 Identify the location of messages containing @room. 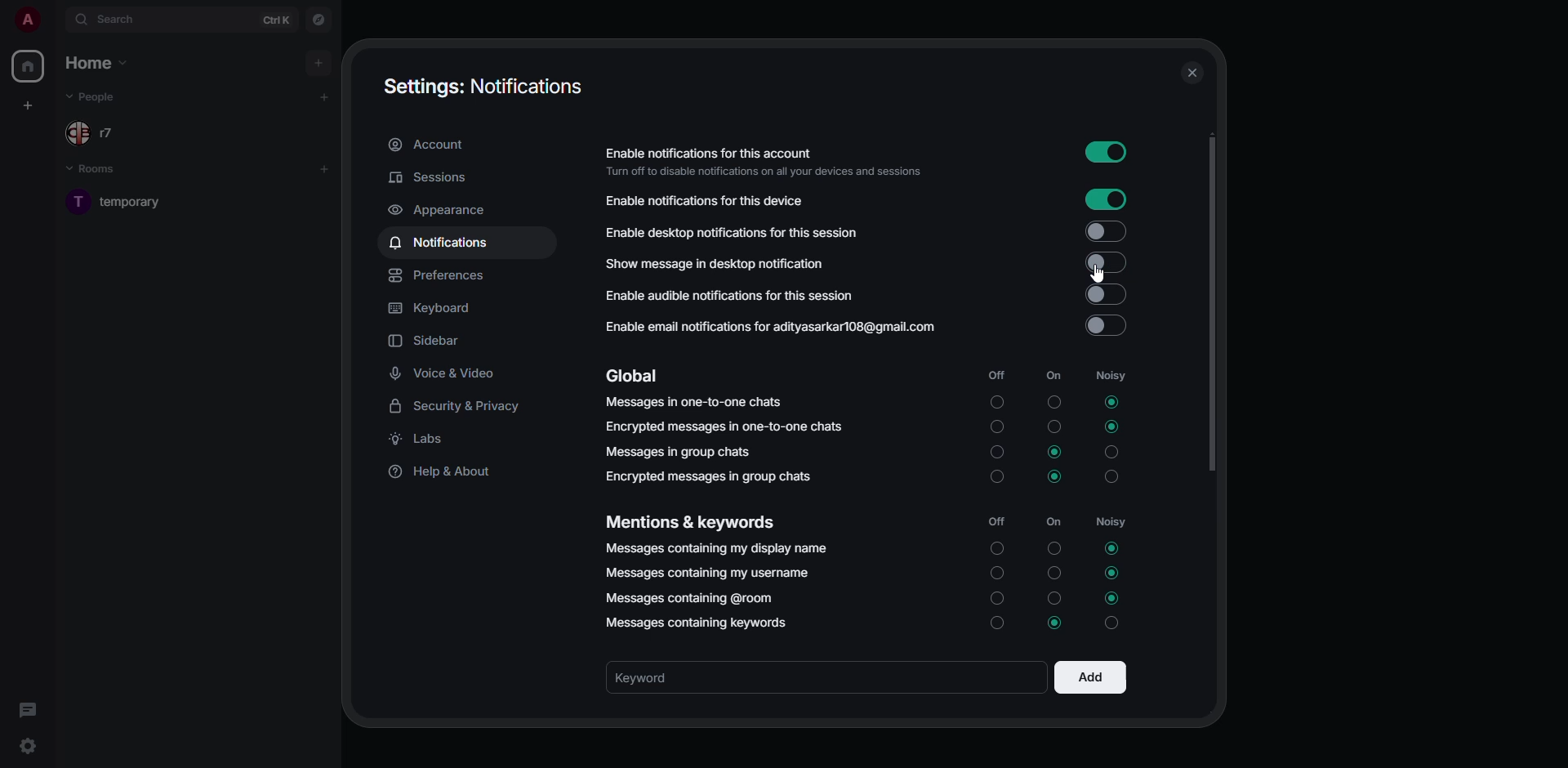
(696, 598).